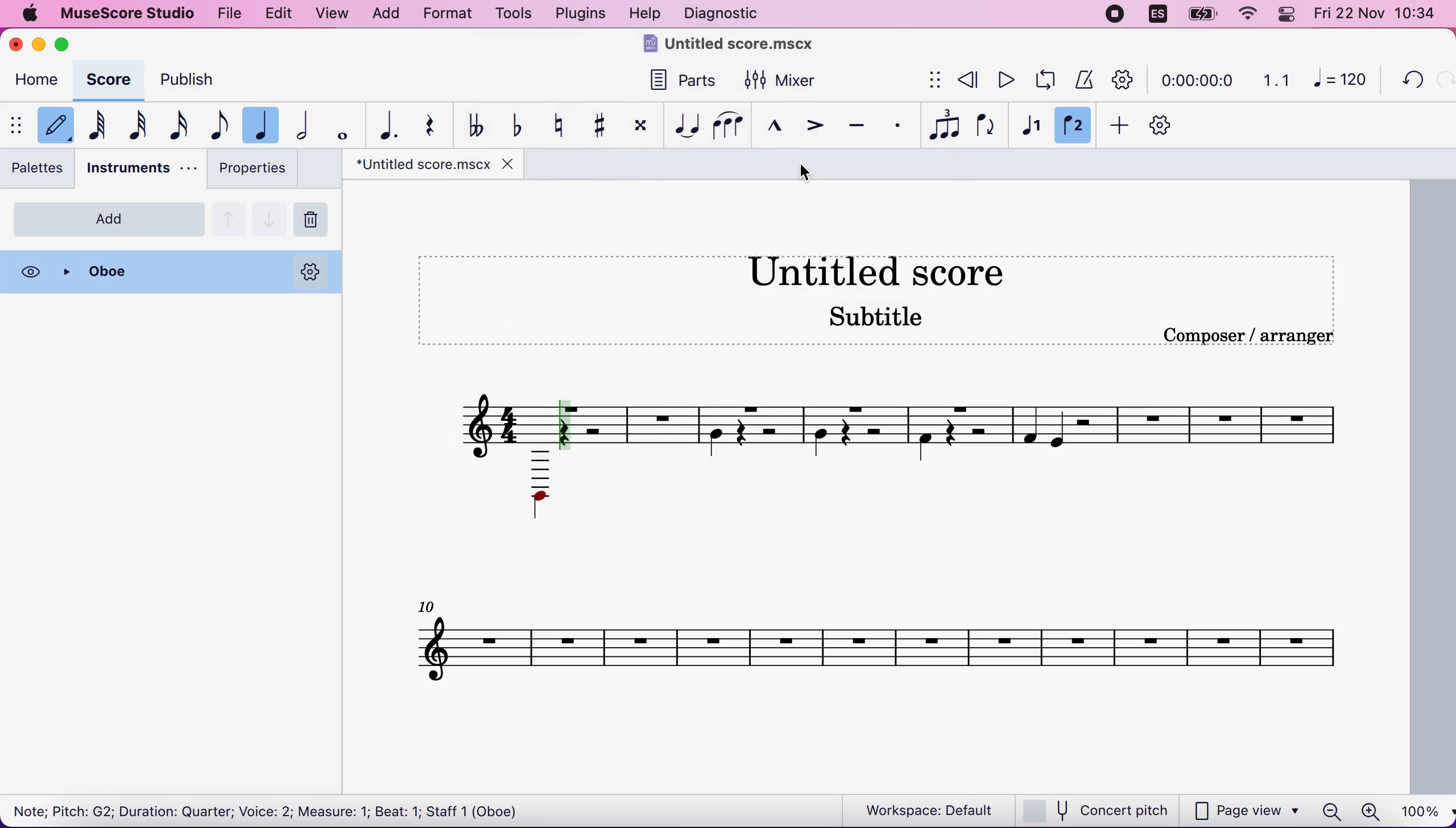 The width and height of the screenshot is (1456, 828). What do you see at coordinates (260, 125) in the screenshot?
I see `quarter note` at bounding box center [260, 125].